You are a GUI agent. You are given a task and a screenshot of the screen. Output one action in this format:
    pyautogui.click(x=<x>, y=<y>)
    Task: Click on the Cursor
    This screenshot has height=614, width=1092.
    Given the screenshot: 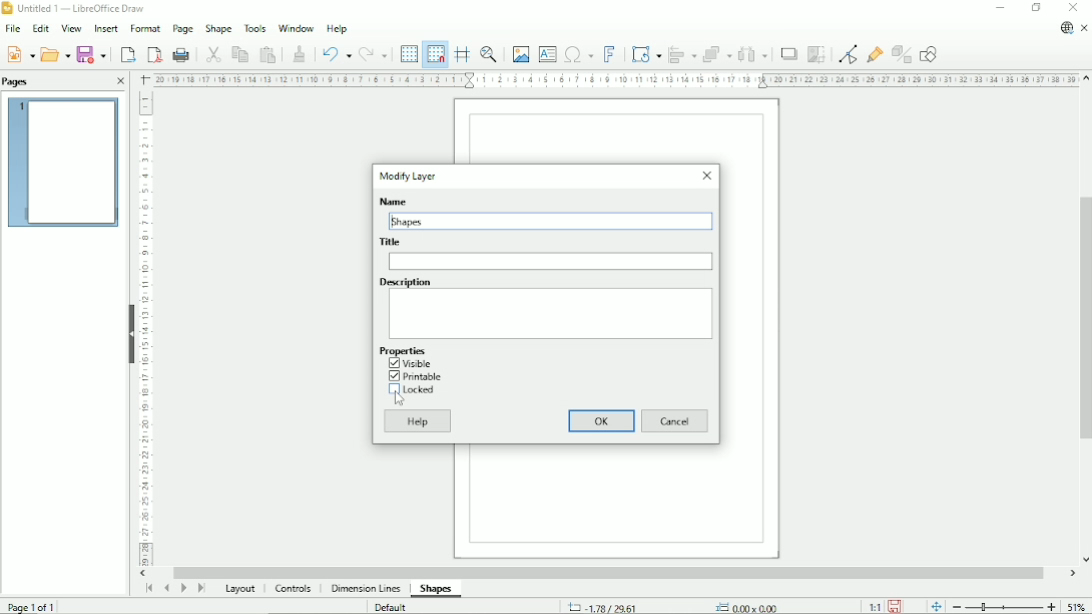 What is the action you would take?
    pyautogui.click(x=399, y=399)
    